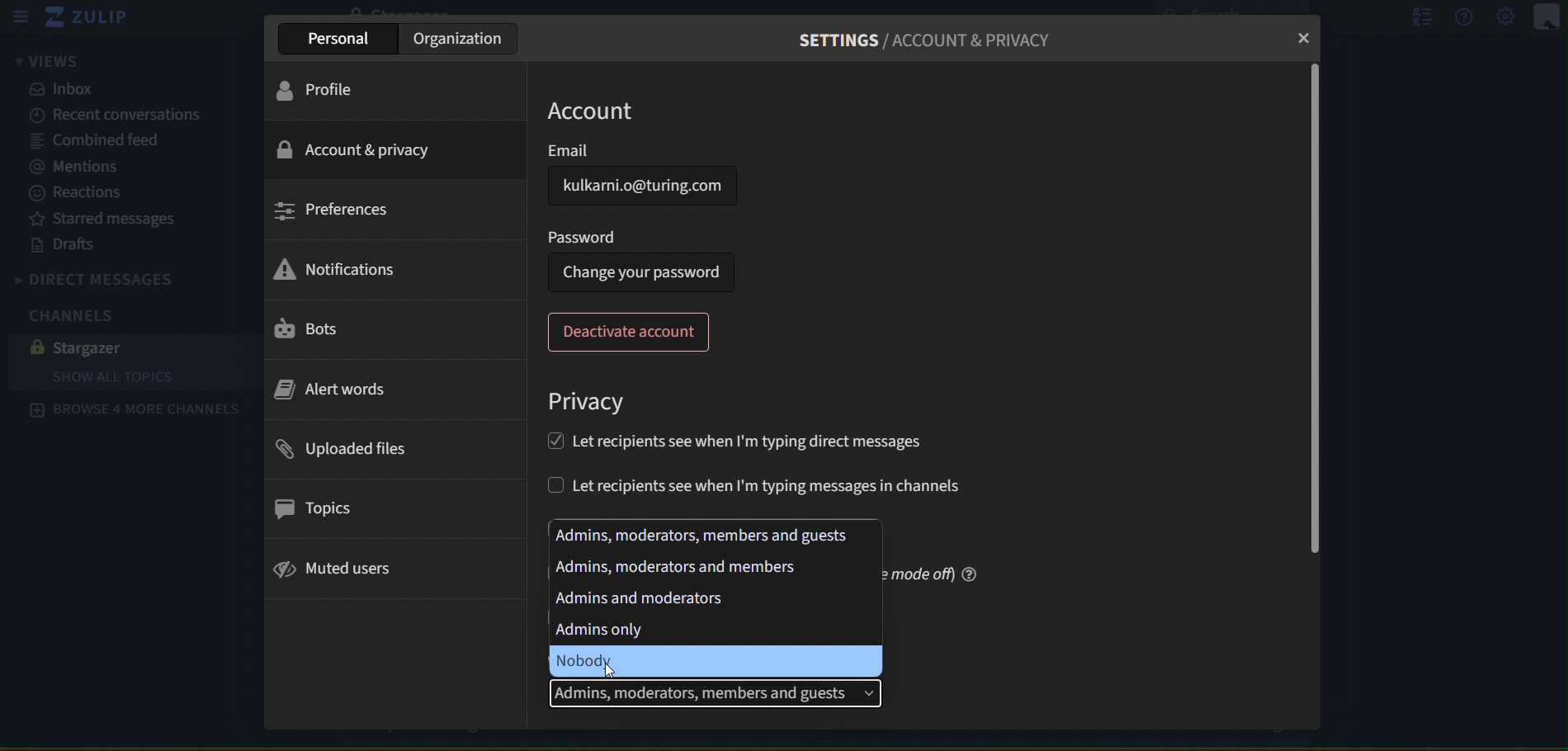 The width and height of the screenshot is (1568, 751). I want to click on scrollbar, so click(1311, 311).